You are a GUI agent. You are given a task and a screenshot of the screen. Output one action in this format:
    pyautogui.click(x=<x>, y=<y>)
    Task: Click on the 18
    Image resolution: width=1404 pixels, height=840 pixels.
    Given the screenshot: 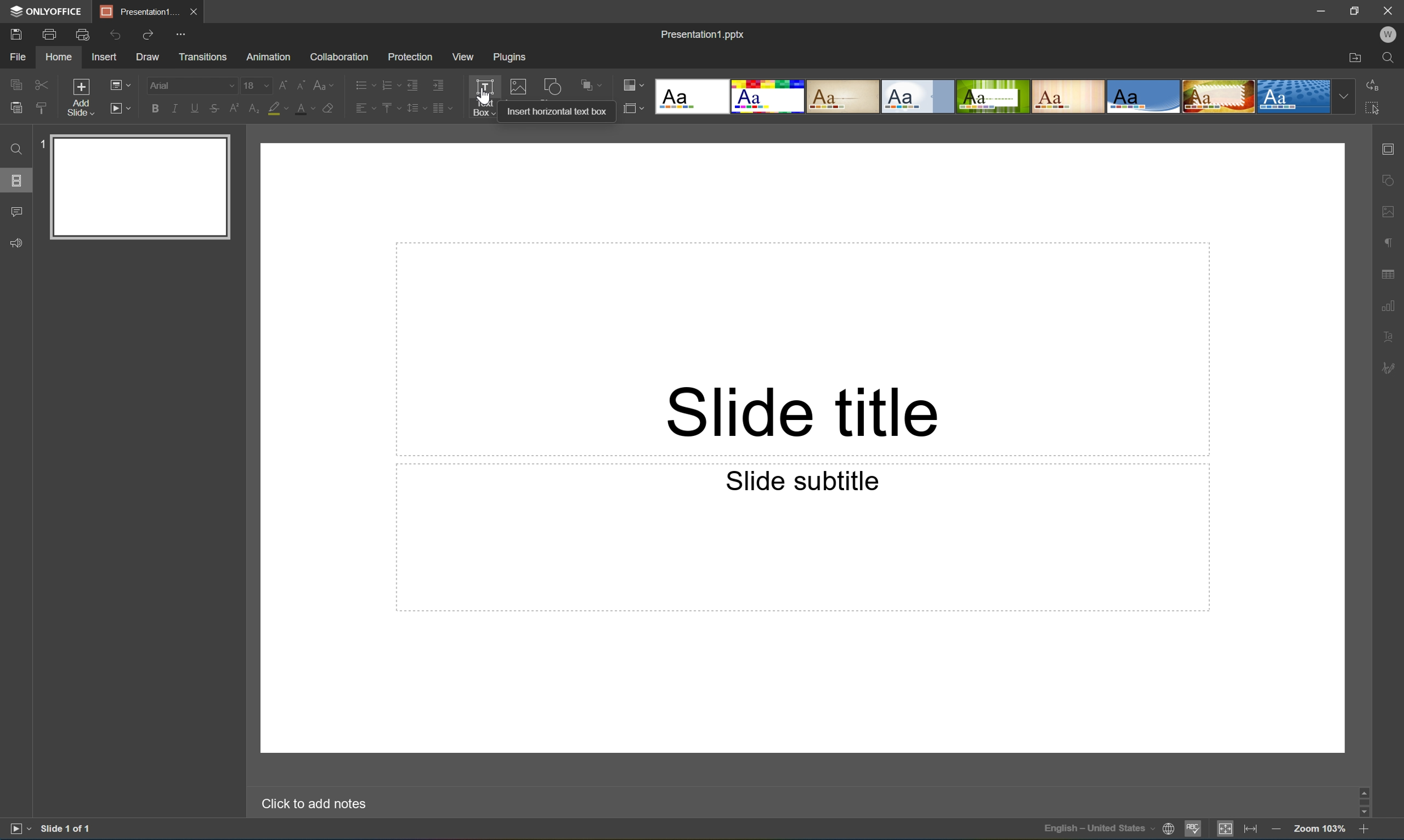 What is the action you would take?
    pyautogui.click(x=257, y=85)
    